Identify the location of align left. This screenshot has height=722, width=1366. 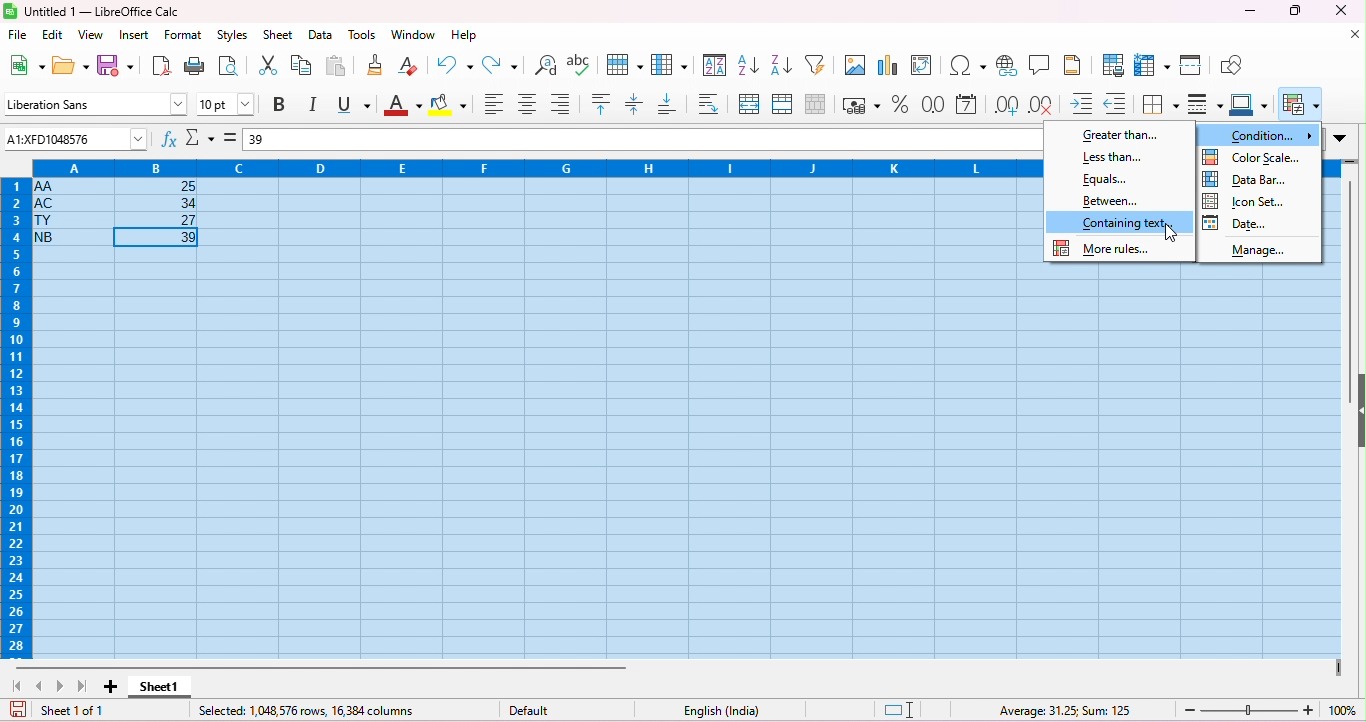
(494, 106).